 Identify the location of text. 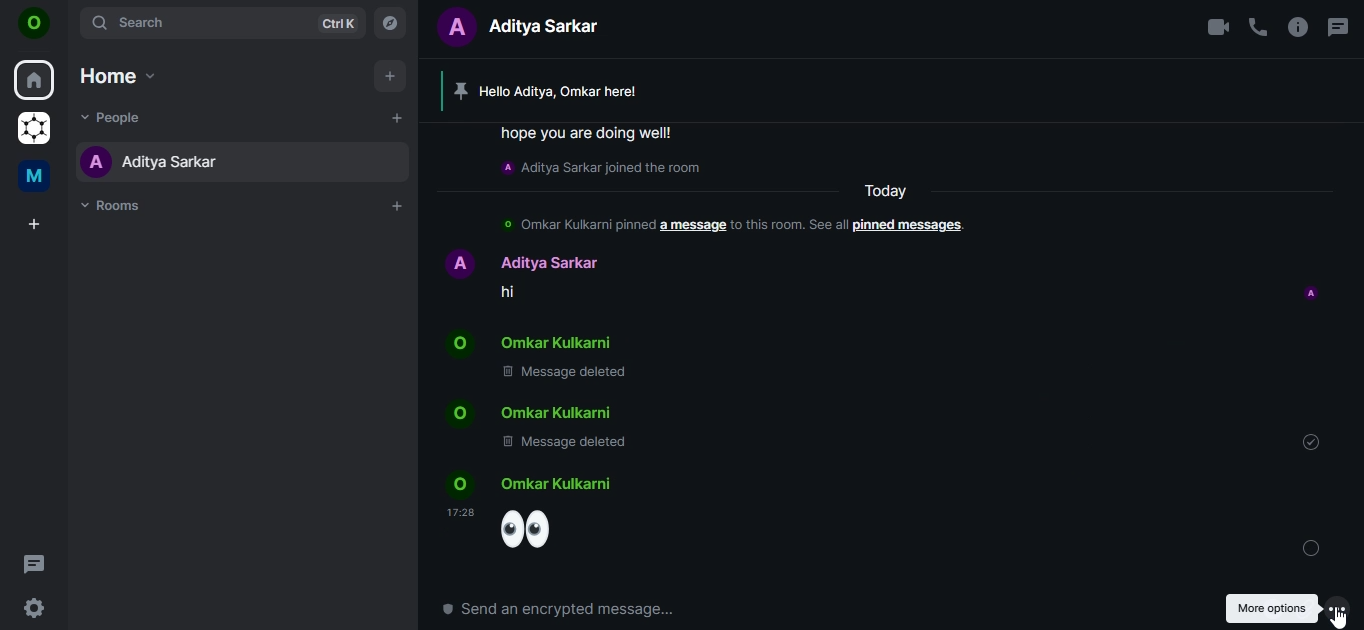
(528, 29).